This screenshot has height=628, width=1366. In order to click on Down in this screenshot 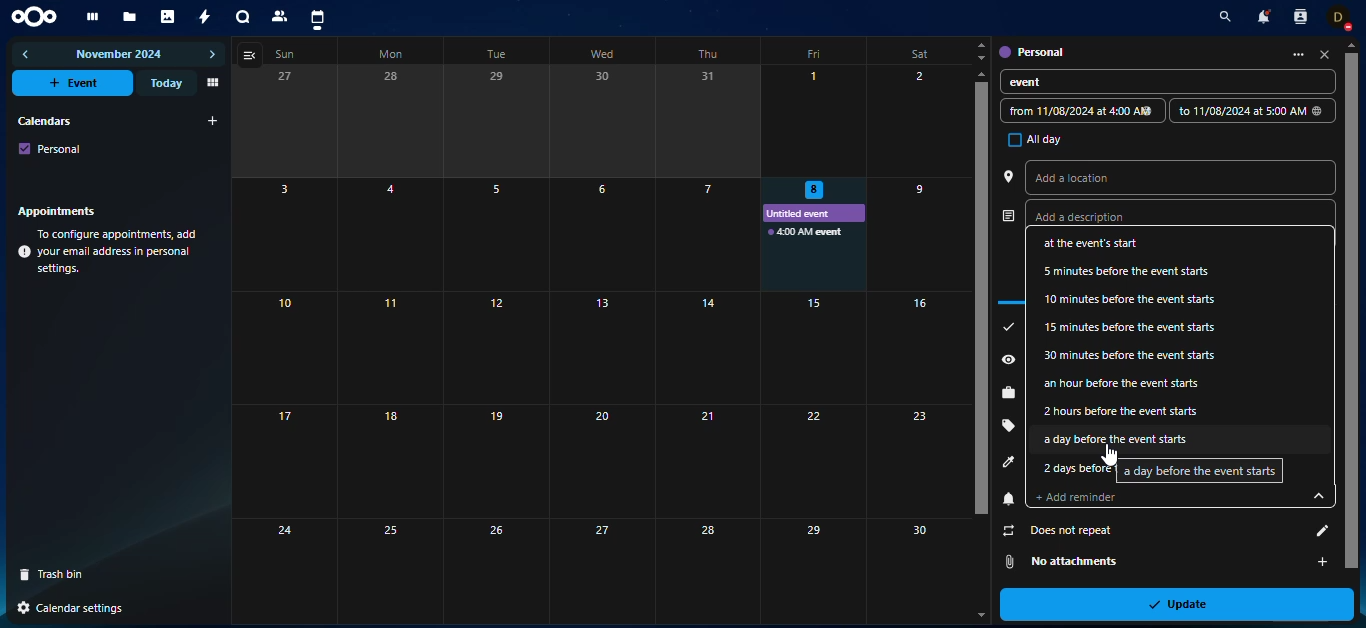, I will do `click(980, 58)`.